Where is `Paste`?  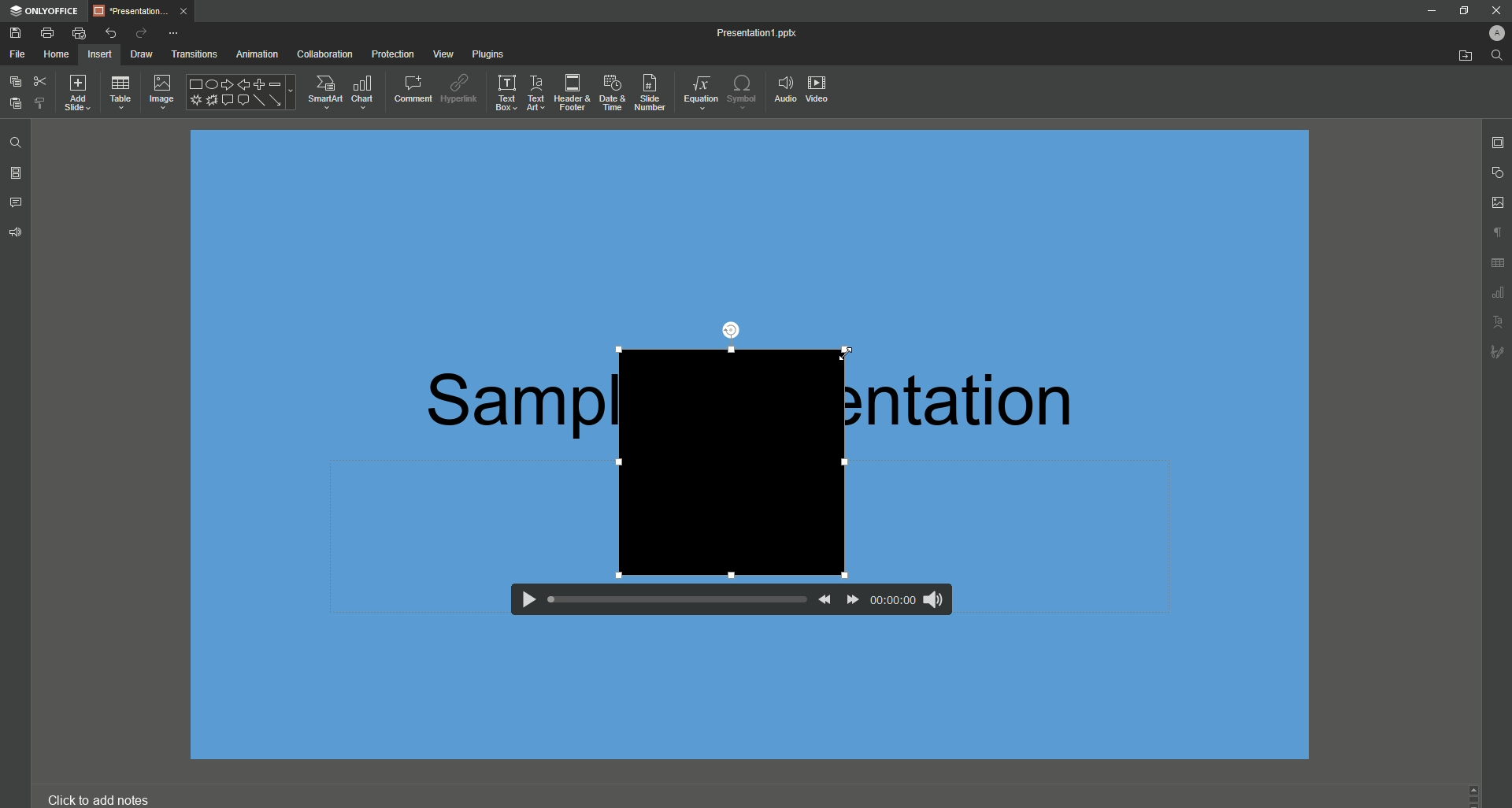 Paste is located at coordinates (14, 105).